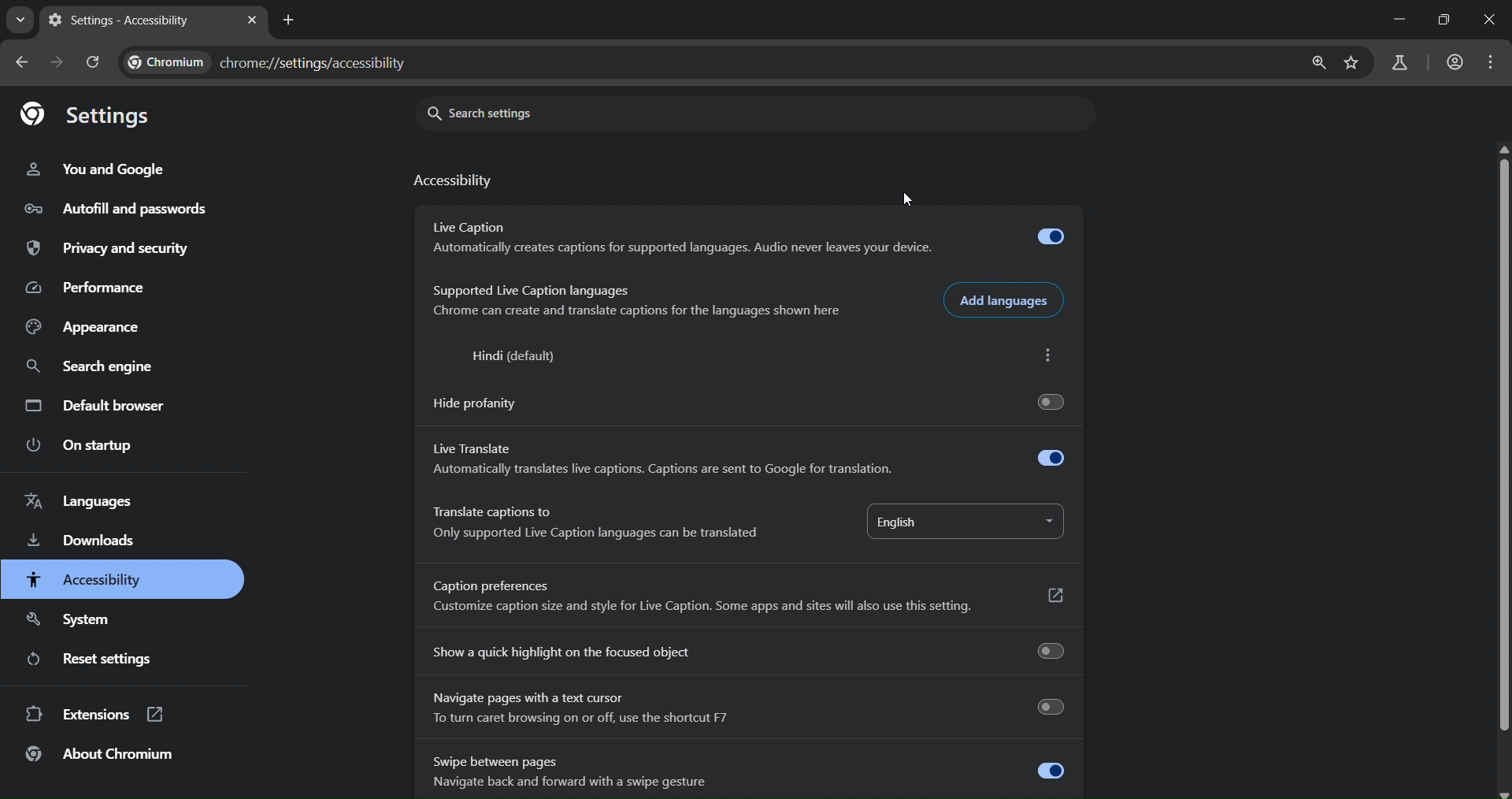 This screenshot has height=799, width=1512. Describe the element at coordinates (1047, 592) in the screenshot. I see `Button` at that location.